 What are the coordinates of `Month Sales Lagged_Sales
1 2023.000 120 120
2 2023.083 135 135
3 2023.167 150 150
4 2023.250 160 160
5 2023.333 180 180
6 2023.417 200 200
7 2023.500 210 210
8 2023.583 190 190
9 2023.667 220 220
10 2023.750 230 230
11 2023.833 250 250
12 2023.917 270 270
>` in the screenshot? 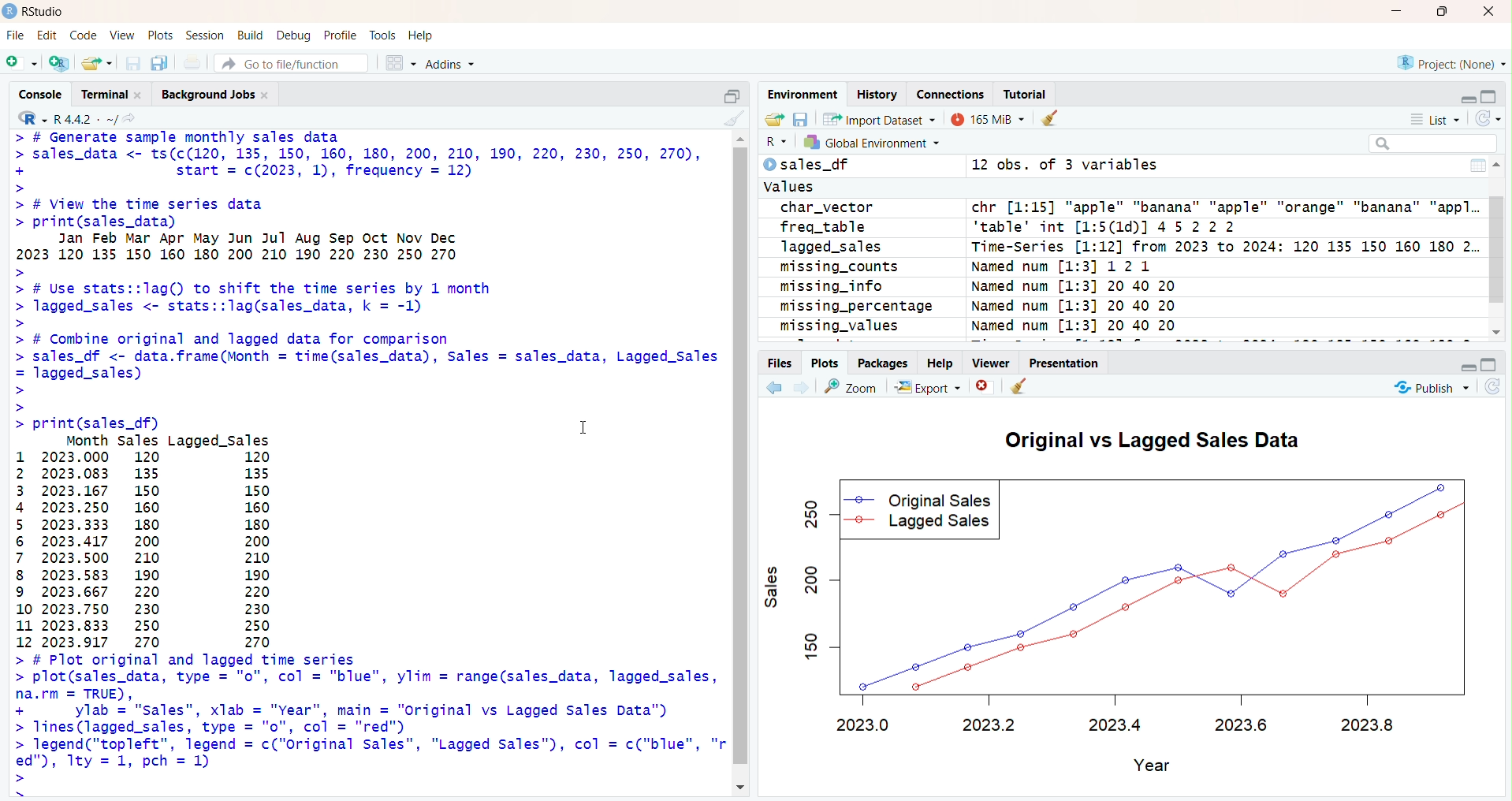 It's located at (170, 540).